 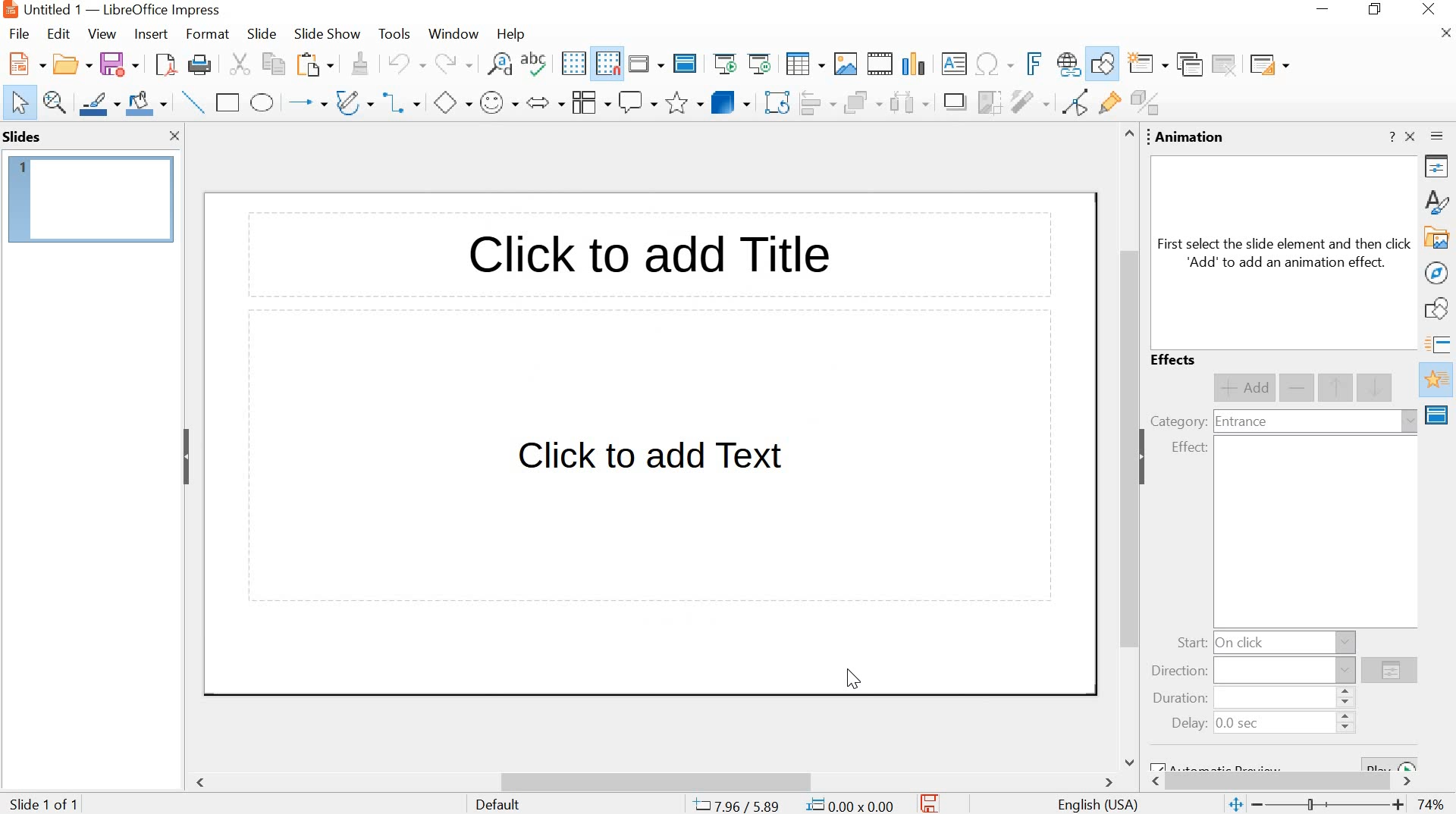 I want to click on master slides, so click(x=1439, y=415).